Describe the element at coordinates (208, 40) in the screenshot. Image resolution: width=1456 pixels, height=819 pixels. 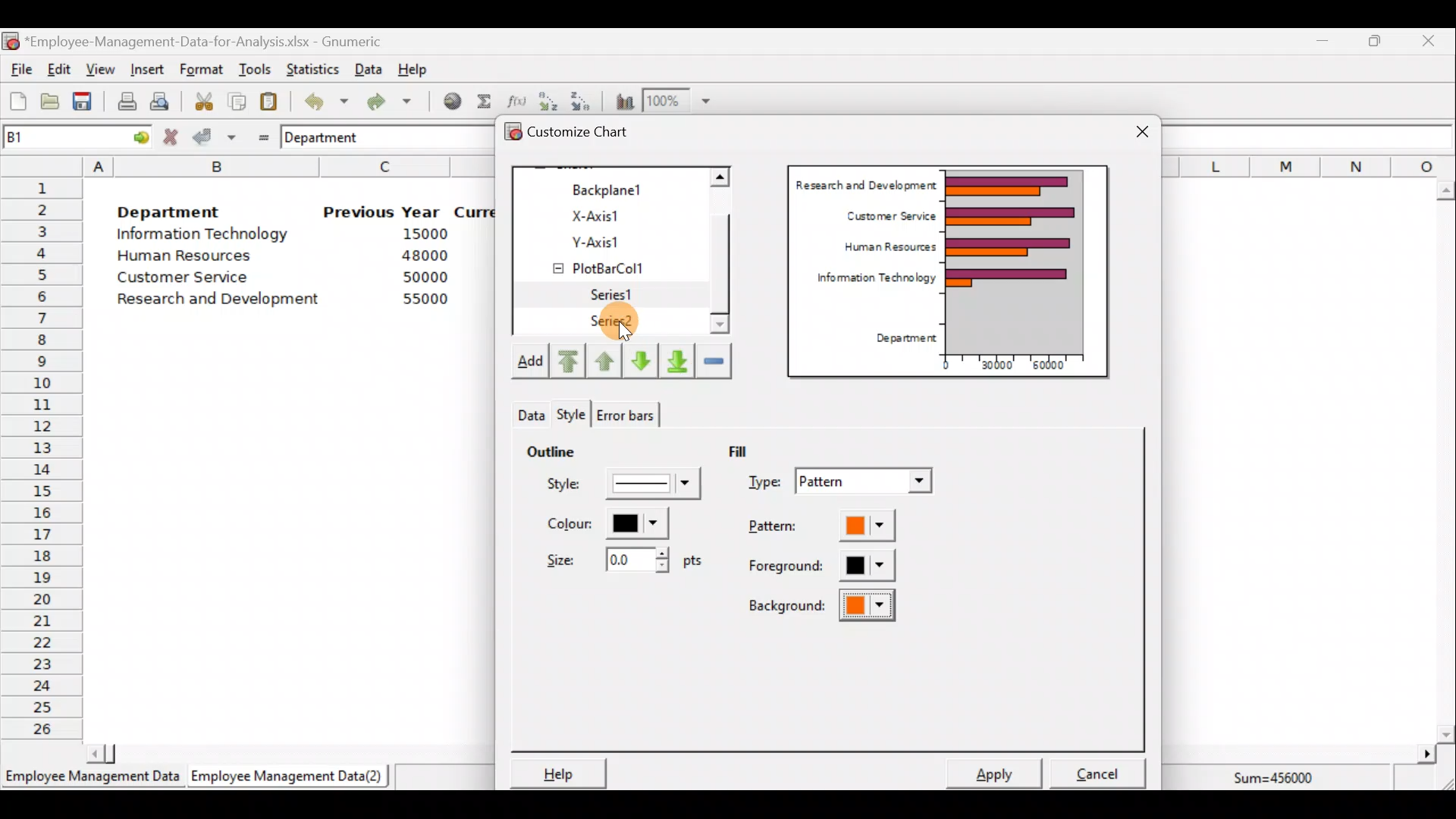
I see `‘Employee-Management-Data-for-Analysis.xlsx - Gnumeric` at that location.